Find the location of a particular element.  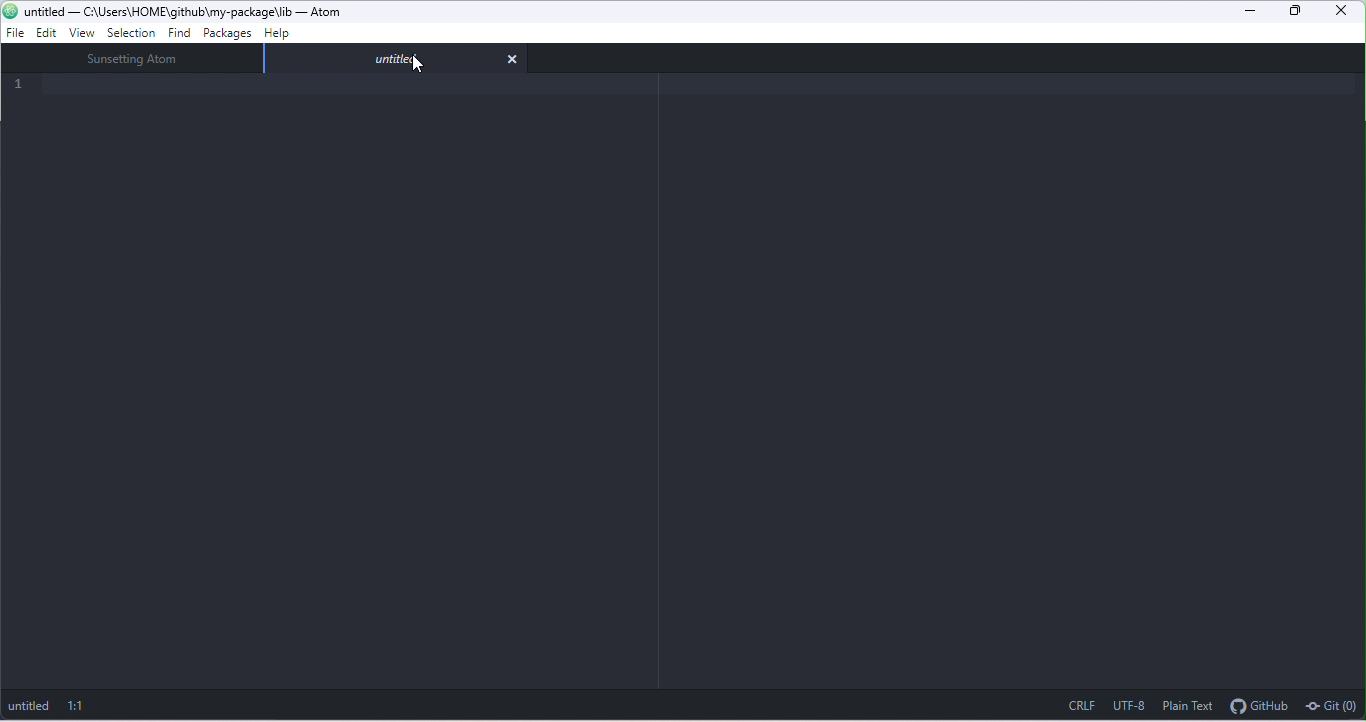

Tab is located at coordinates (378, 59).